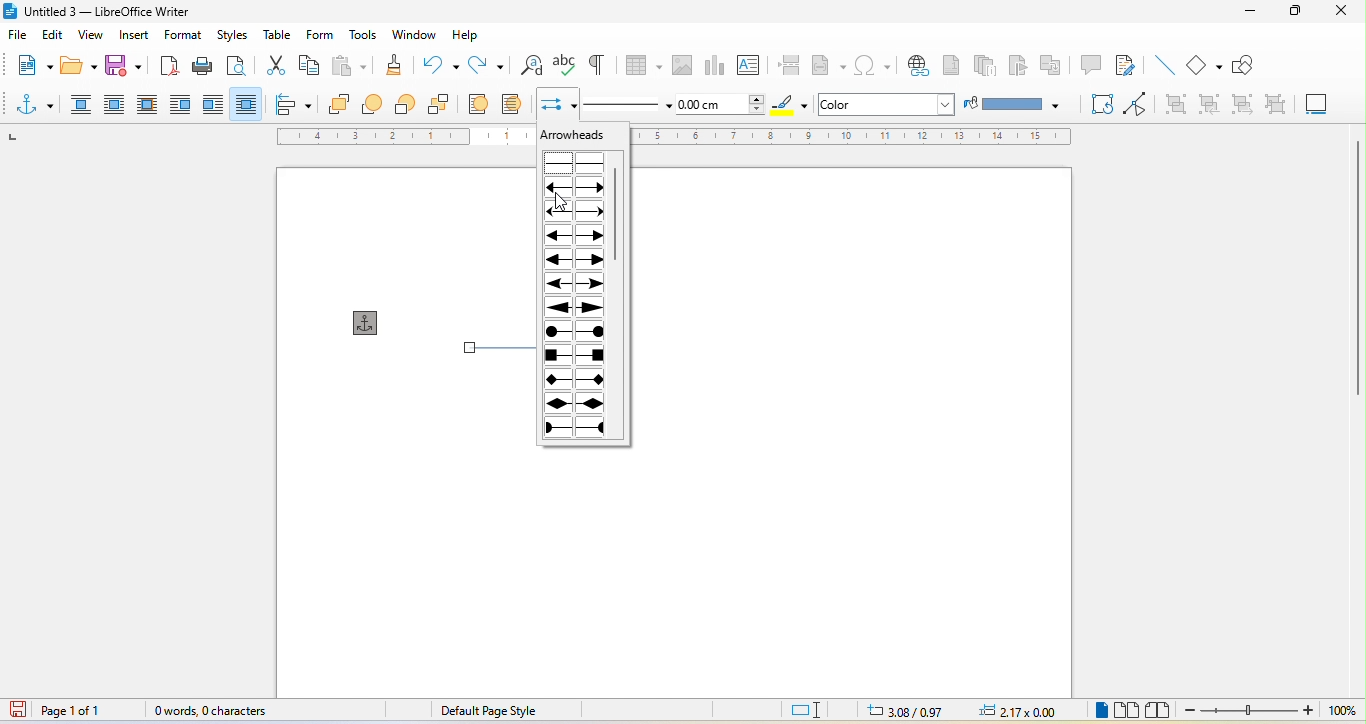 The image size is (1366, 724). I want to click on show draw function, so click(1247, 65).